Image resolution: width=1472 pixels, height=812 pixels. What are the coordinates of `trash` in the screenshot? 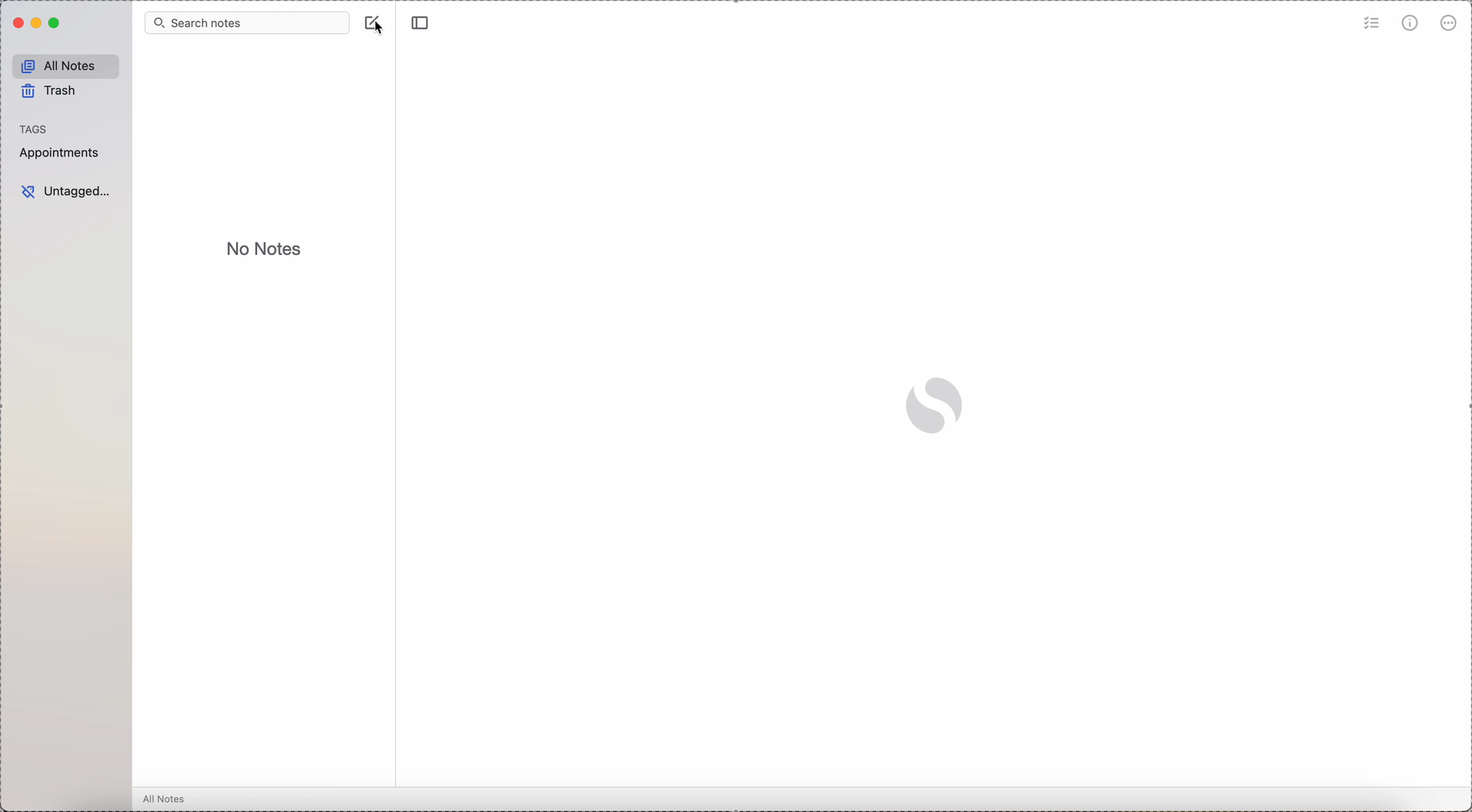 It's located at (50, 91).